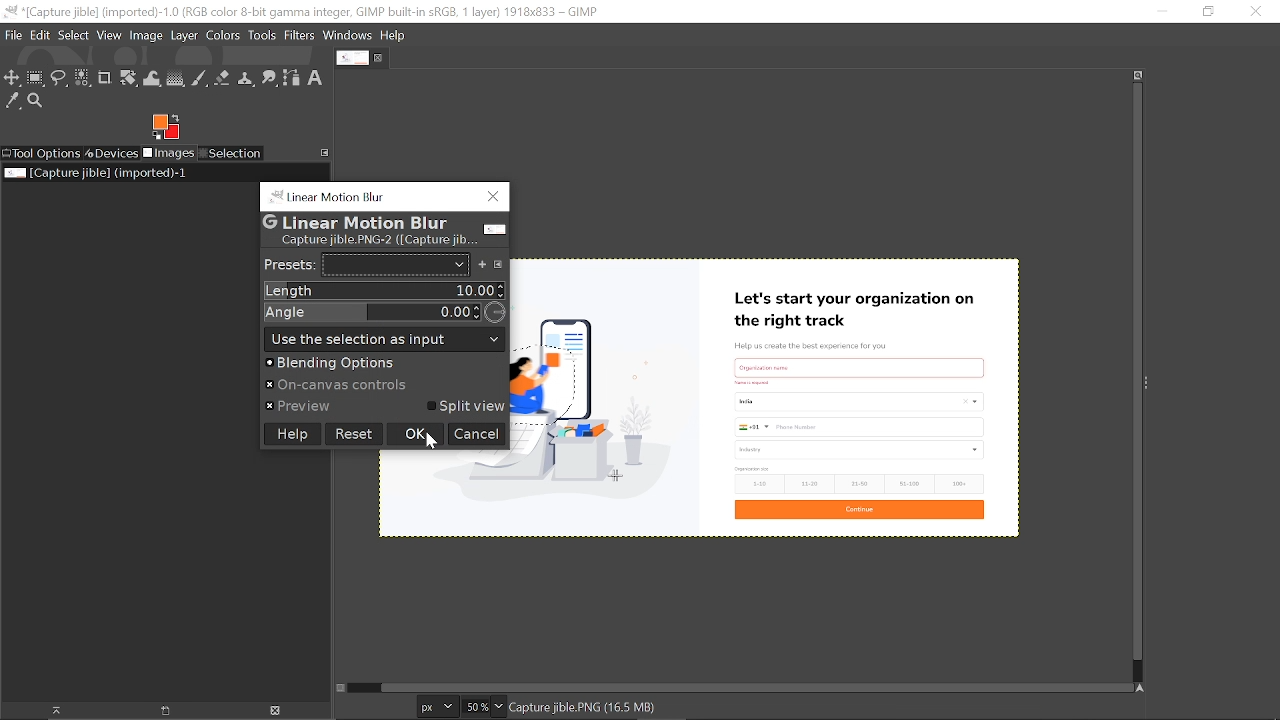 The image size is (1280, 720). Describe the element at coordinates (394, 36) in the screenshot. I see `Help` at that location.